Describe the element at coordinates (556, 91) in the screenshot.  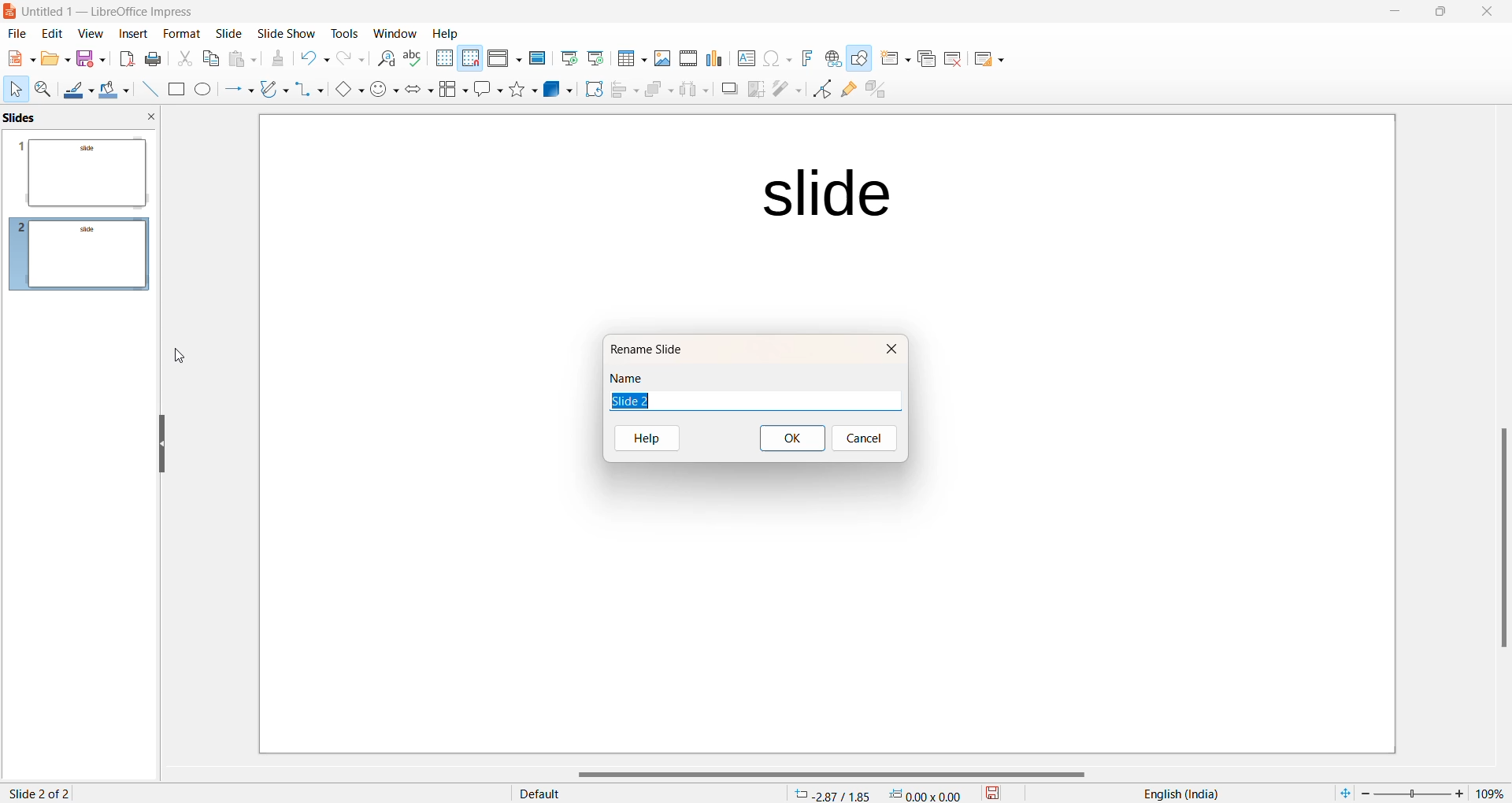
I see `3D objects` at that location.